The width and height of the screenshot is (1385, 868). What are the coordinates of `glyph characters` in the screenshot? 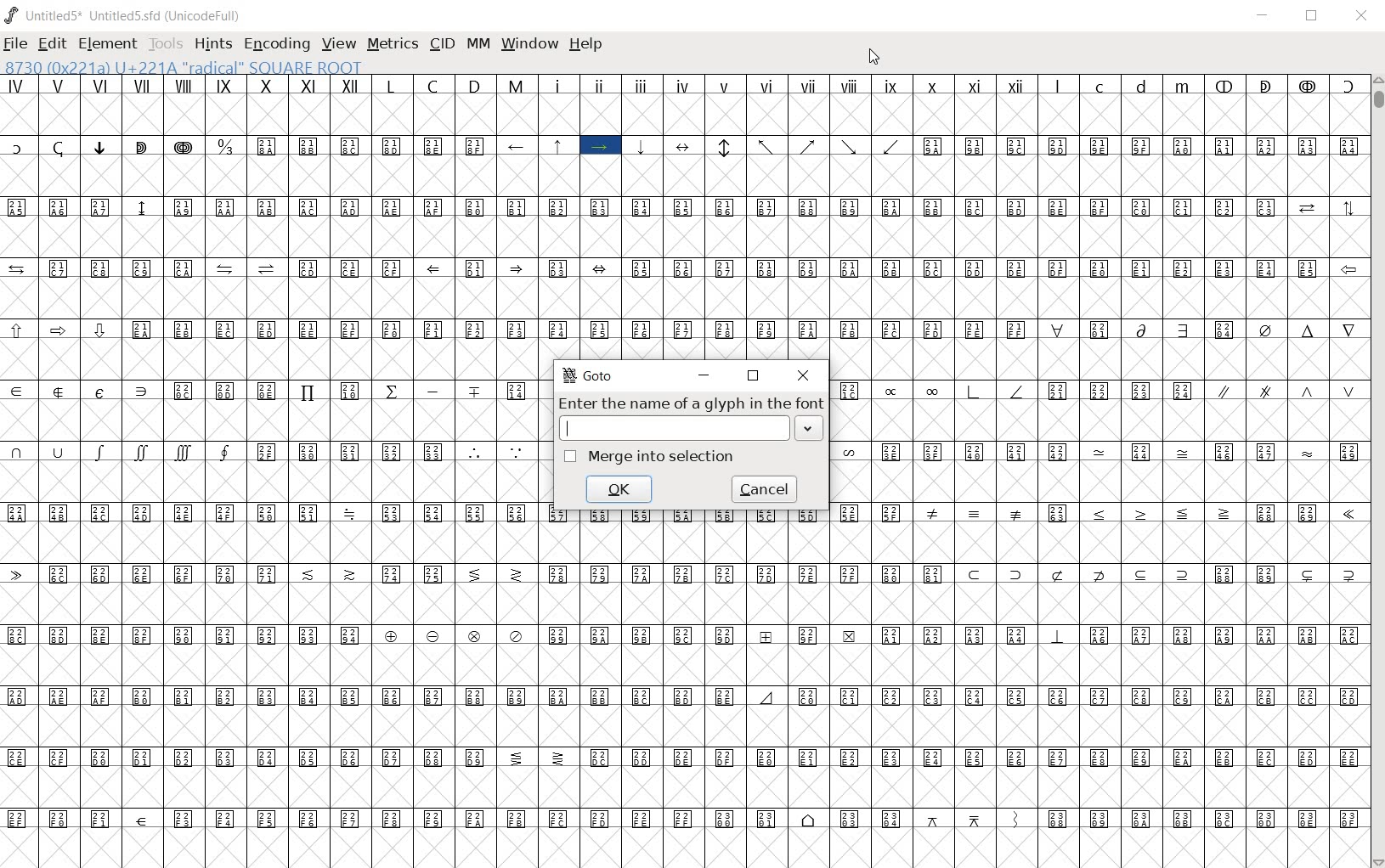 It's located at (955, 715).